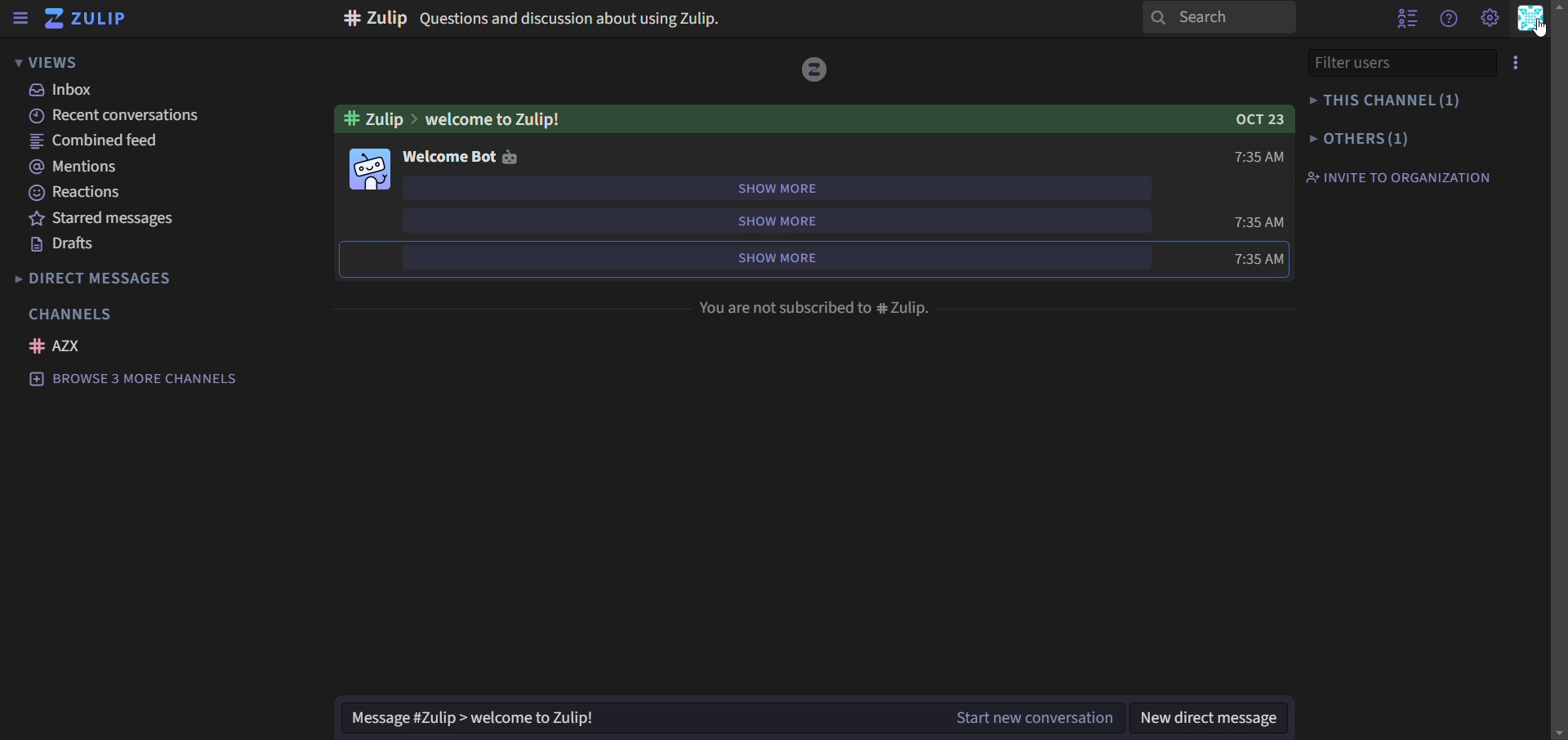  What do you see at coordinates (1410, 17) in the screenshot?
I see `show user list` at bounding box center [1410, 17].